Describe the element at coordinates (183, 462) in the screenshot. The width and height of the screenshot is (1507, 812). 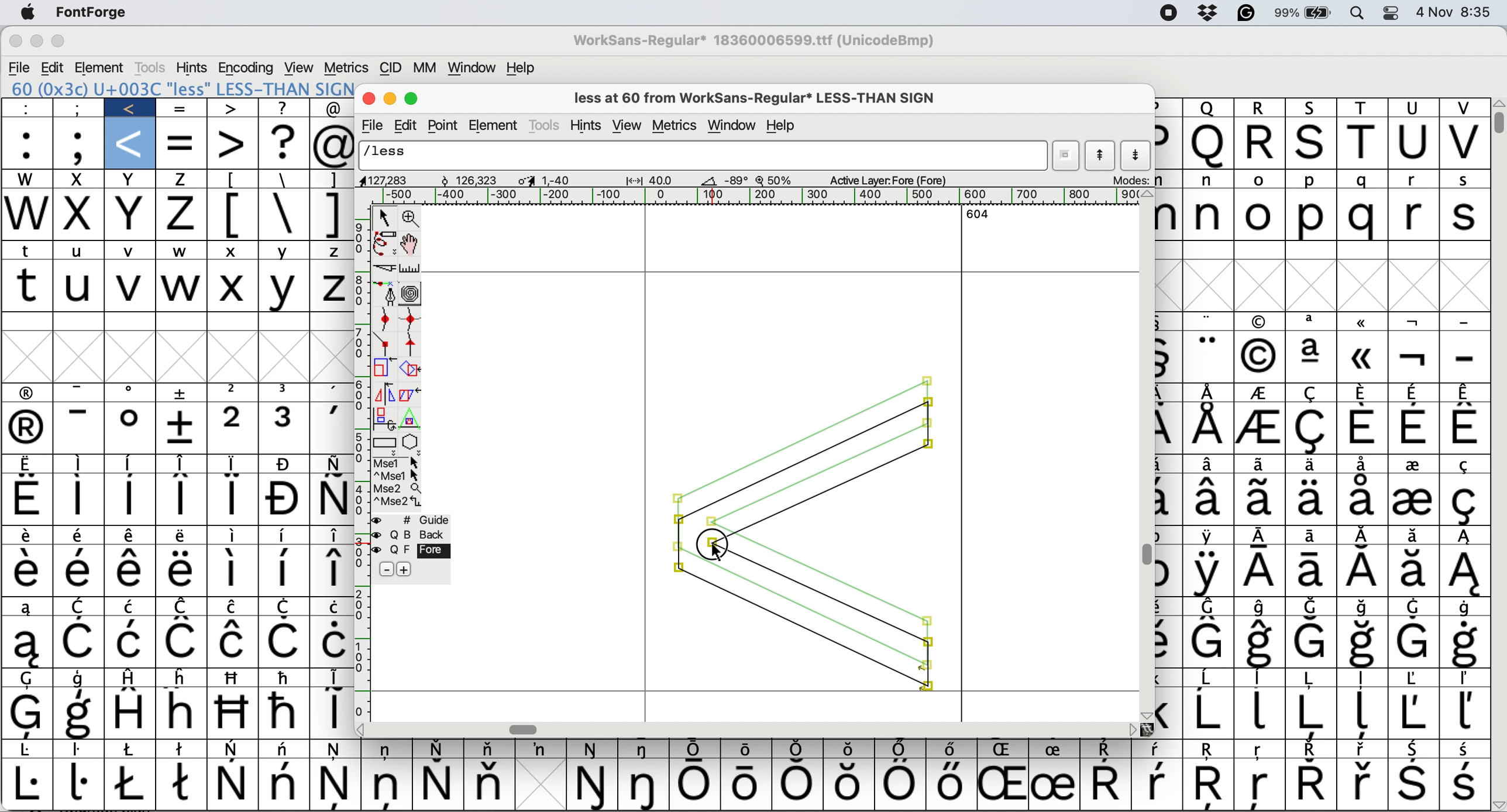
I see `Symbol` at that location.